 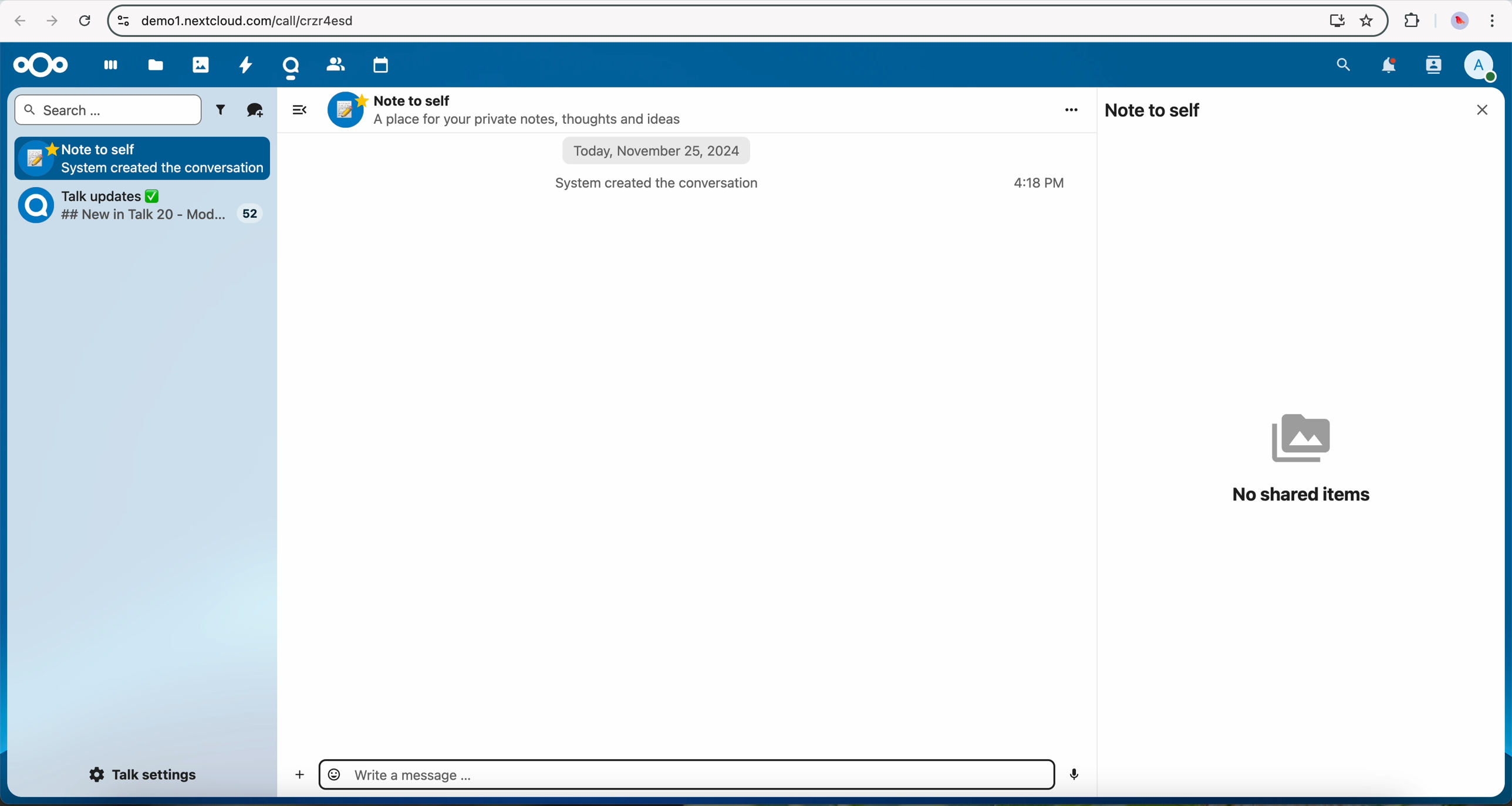 I want to click on voice record, so click(x=1077, y=774).